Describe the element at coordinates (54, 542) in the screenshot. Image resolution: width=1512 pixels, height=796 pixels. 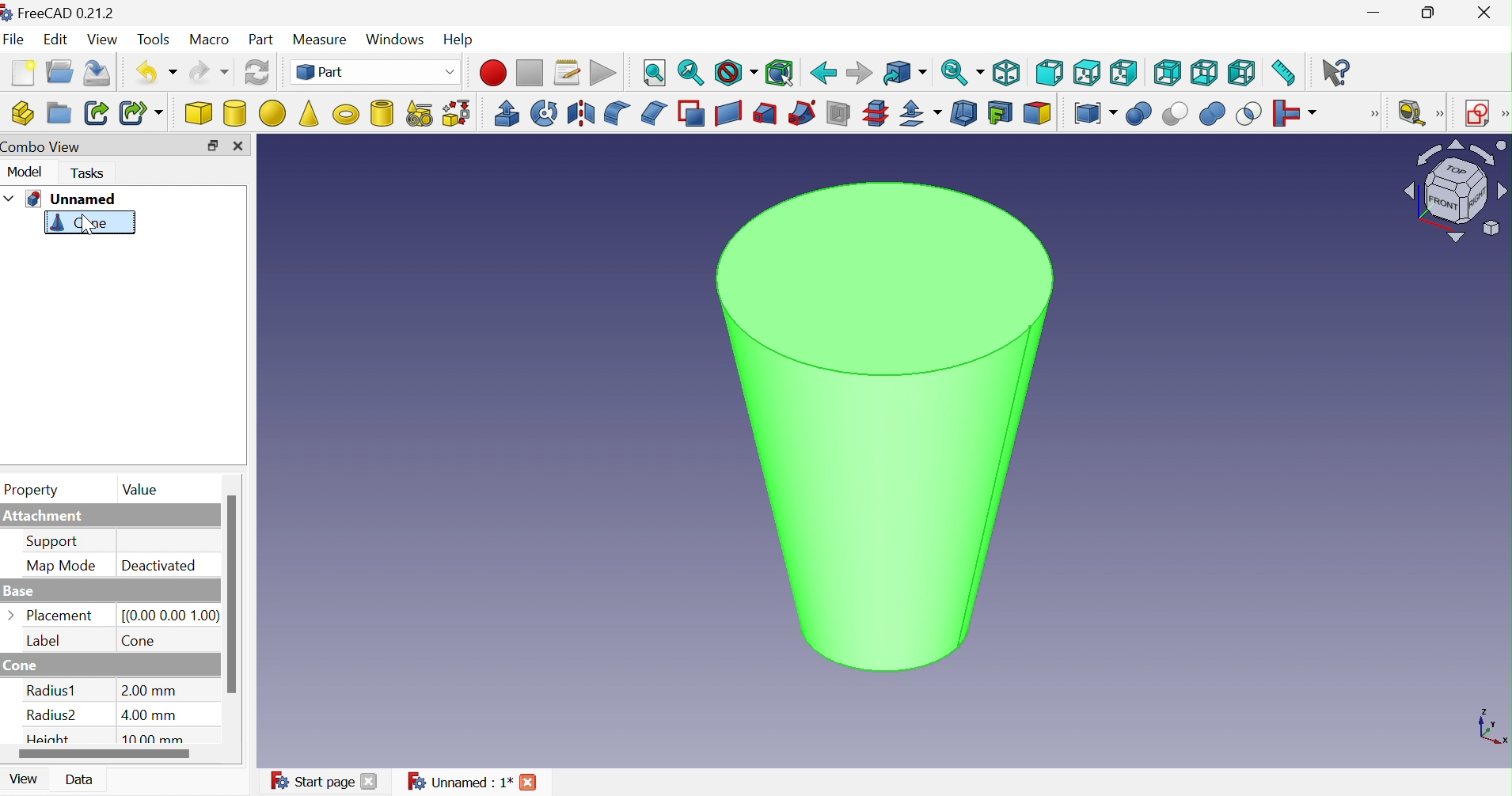
I see `Support` at that location.